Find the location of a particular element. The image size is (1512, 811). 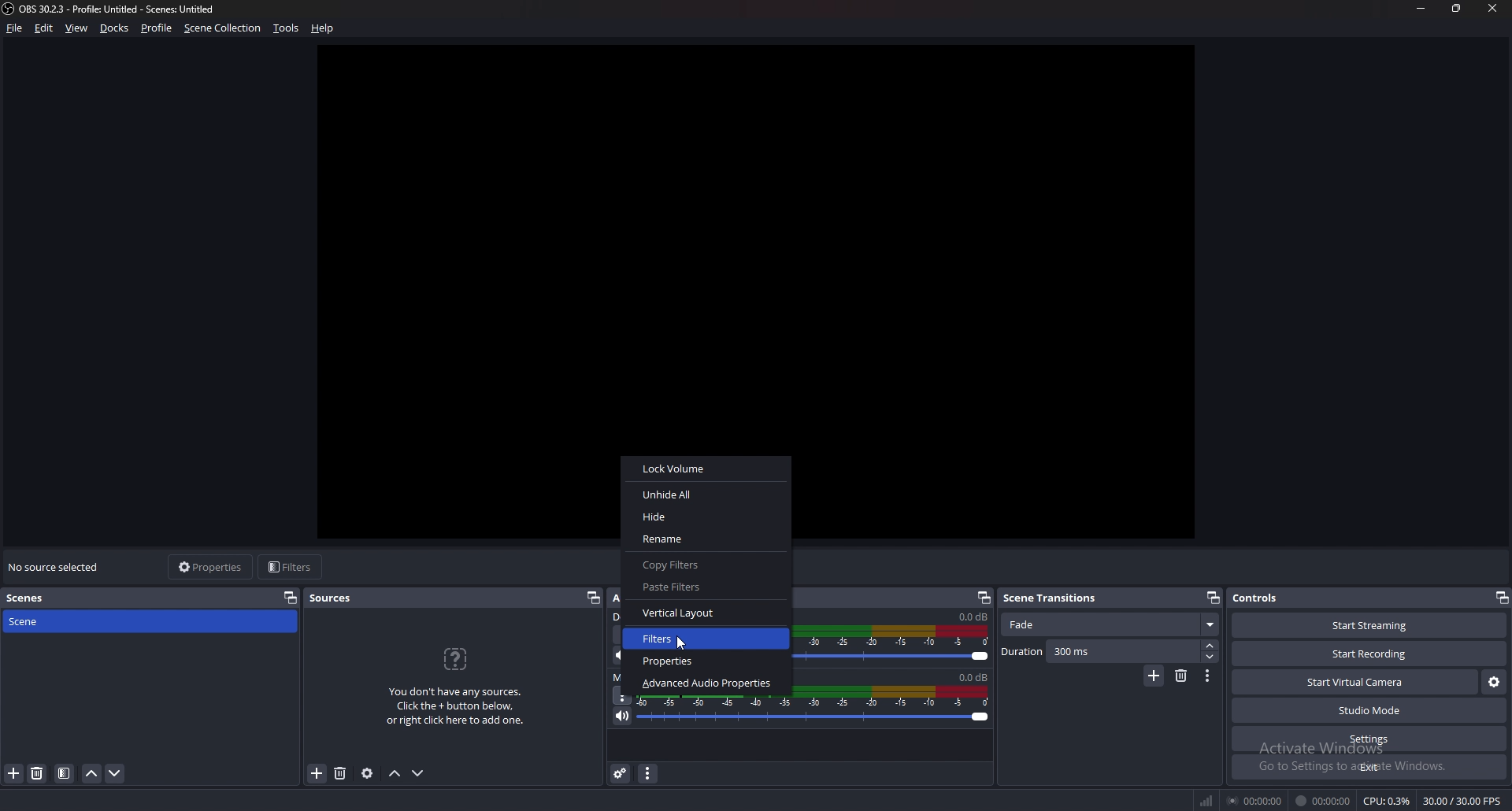

Paste Filters is located at coordinates (680, 587).